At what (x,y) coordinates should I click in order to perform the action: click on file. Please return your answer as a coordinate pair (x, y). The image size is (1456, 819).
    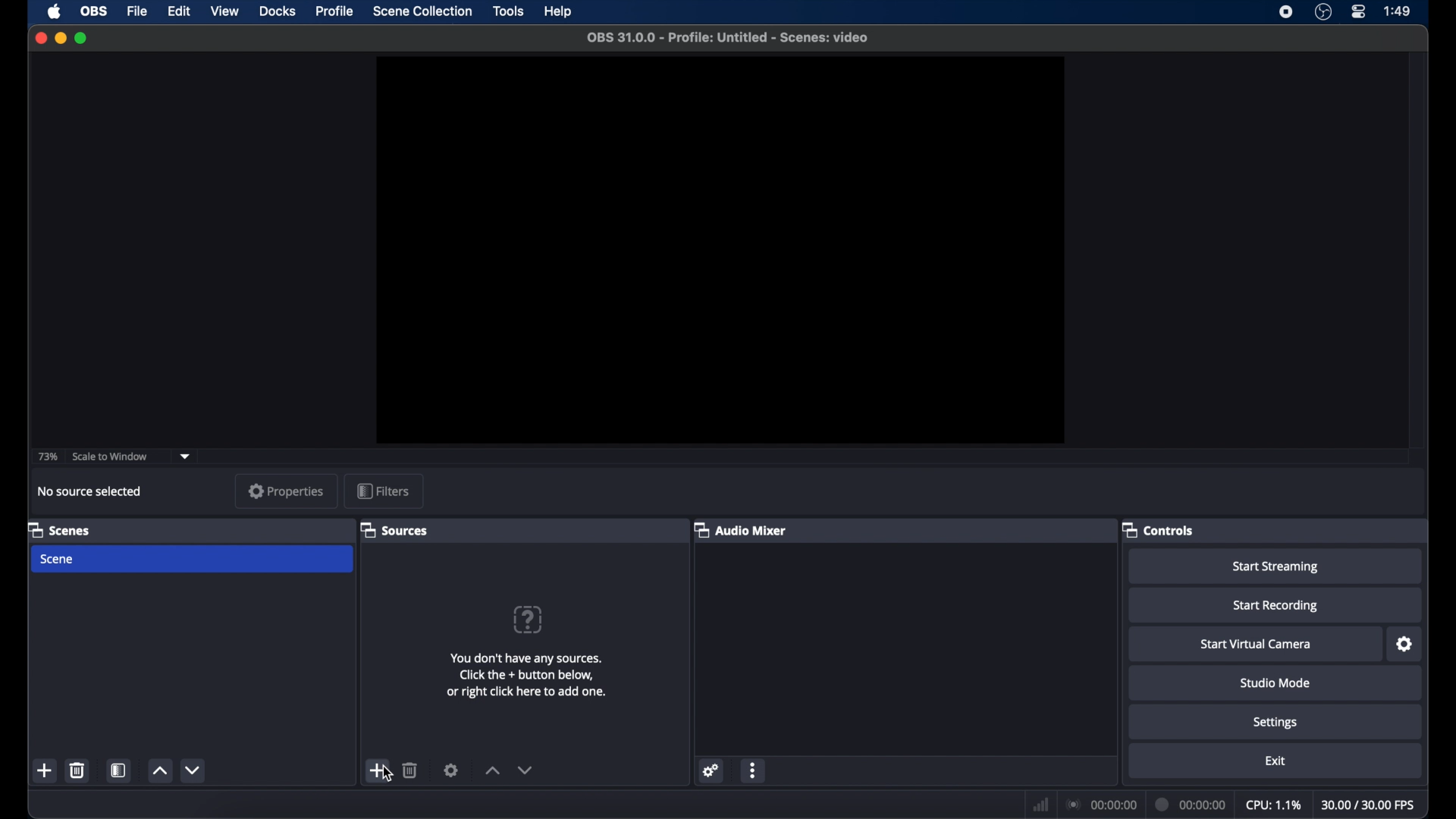
    Looking at the image, I should click on (138, 11).